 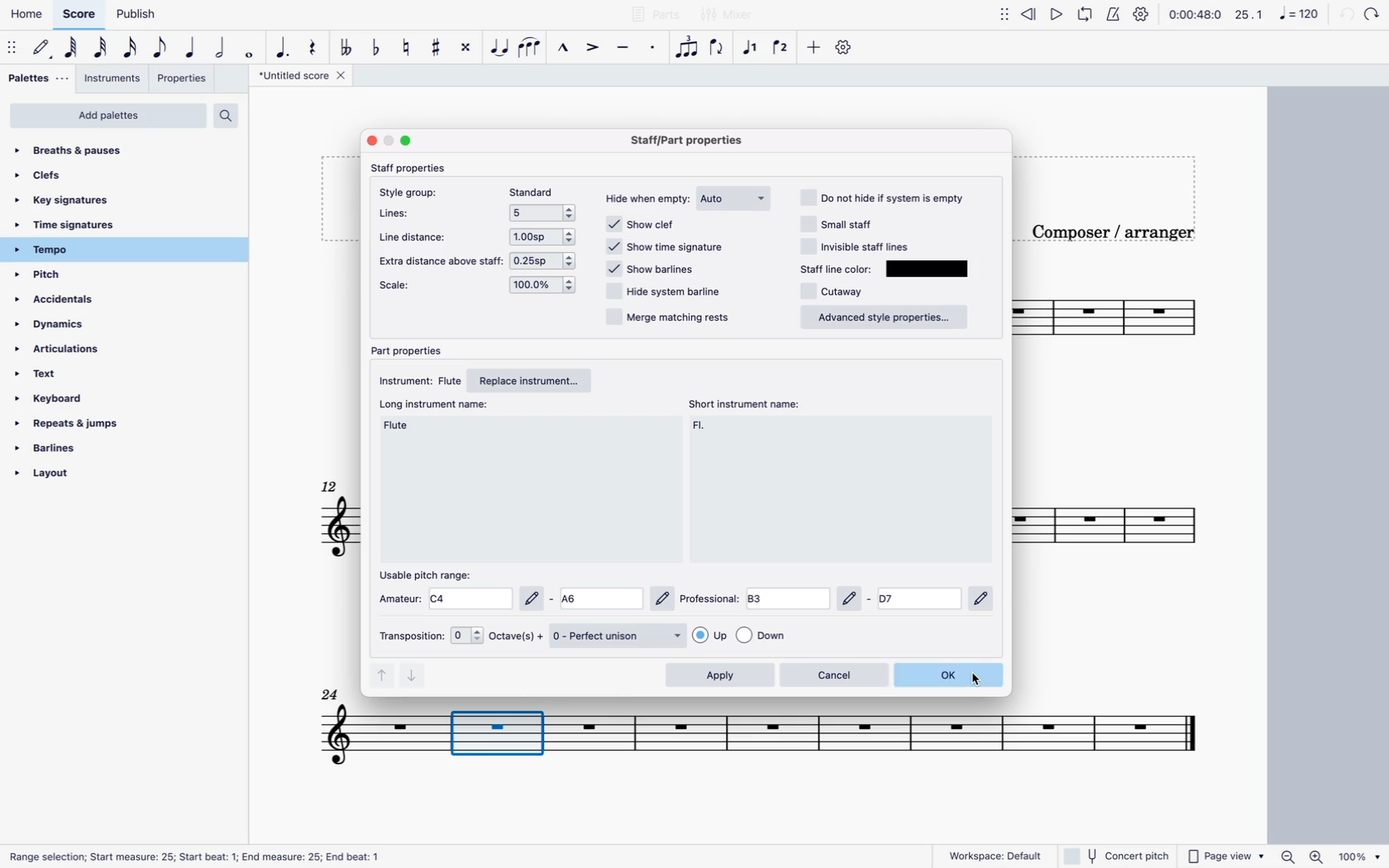 What do you see at coordinates (193, 856) in the screenshot?
I see `Range selection; Start measure: 25; Start beat: 1; End measure: 25; End beat: 1` at bounding box center [193, 856].